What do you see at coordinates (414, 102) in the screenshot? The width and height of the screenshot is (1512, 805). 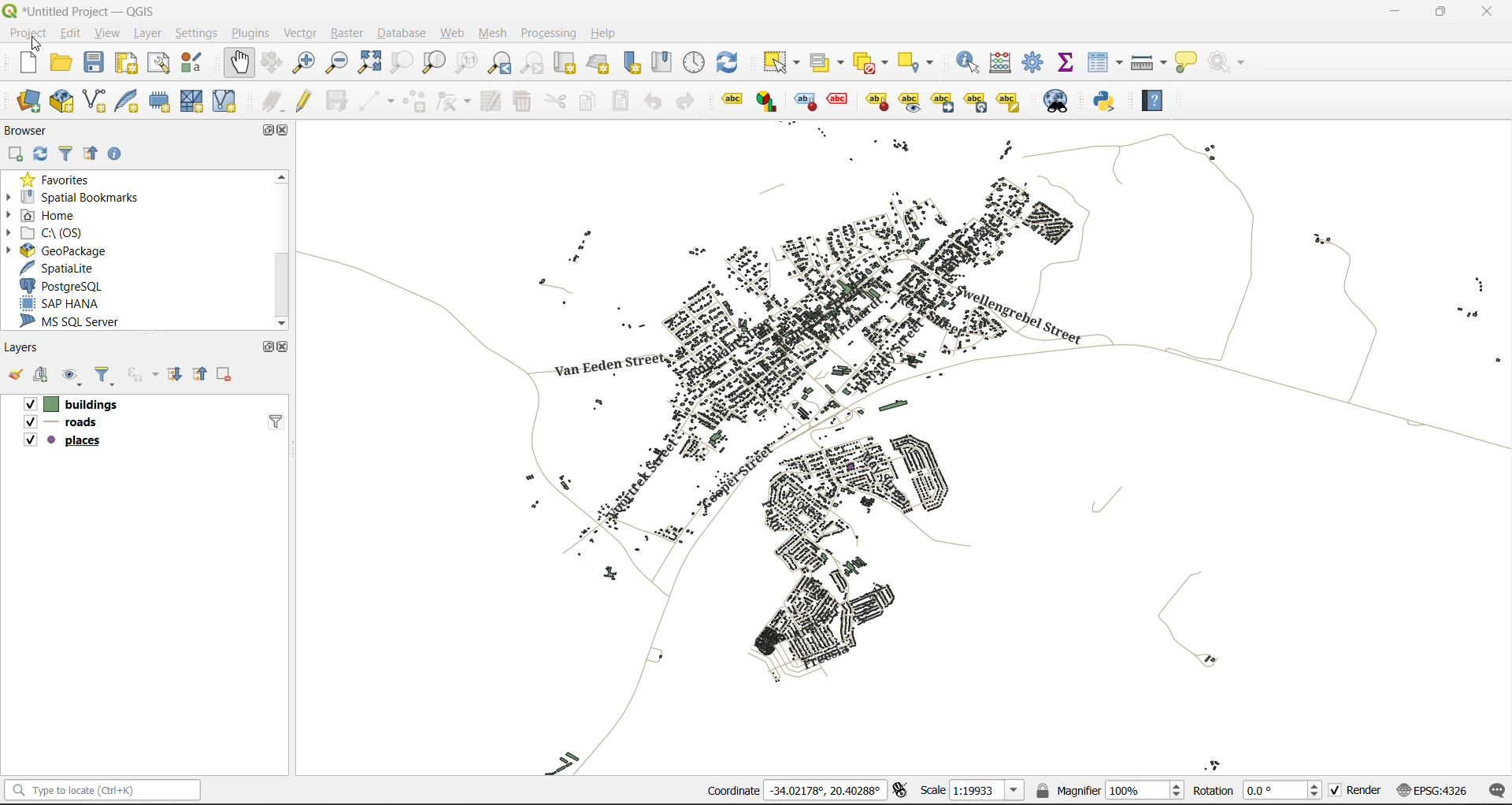 I see `add polygon` at bounding box center [414, 102].